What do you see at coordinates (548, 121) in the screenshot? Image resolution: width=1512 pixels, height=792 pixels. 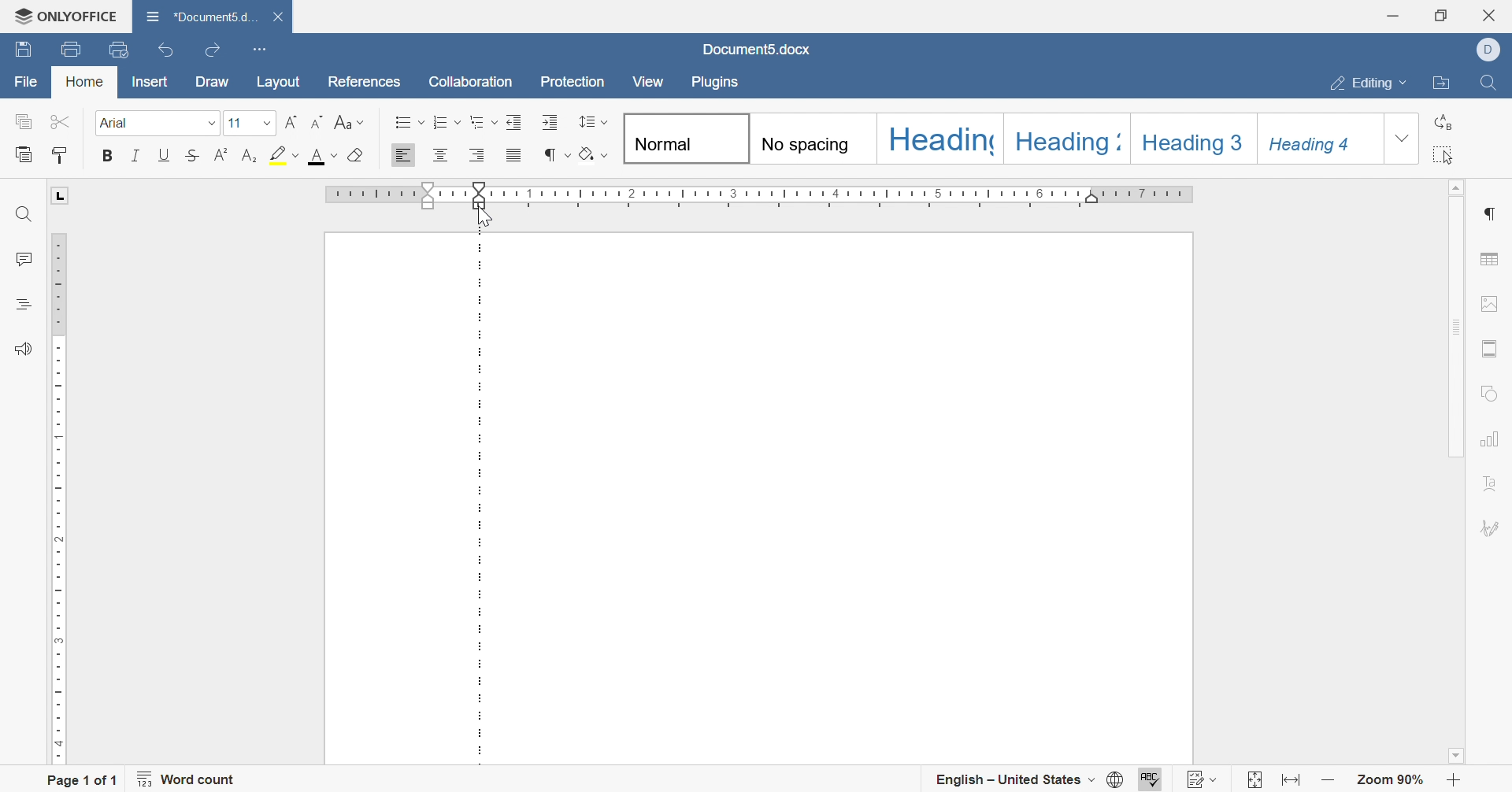 I see `increase indent` at bounding box center [548, 121].